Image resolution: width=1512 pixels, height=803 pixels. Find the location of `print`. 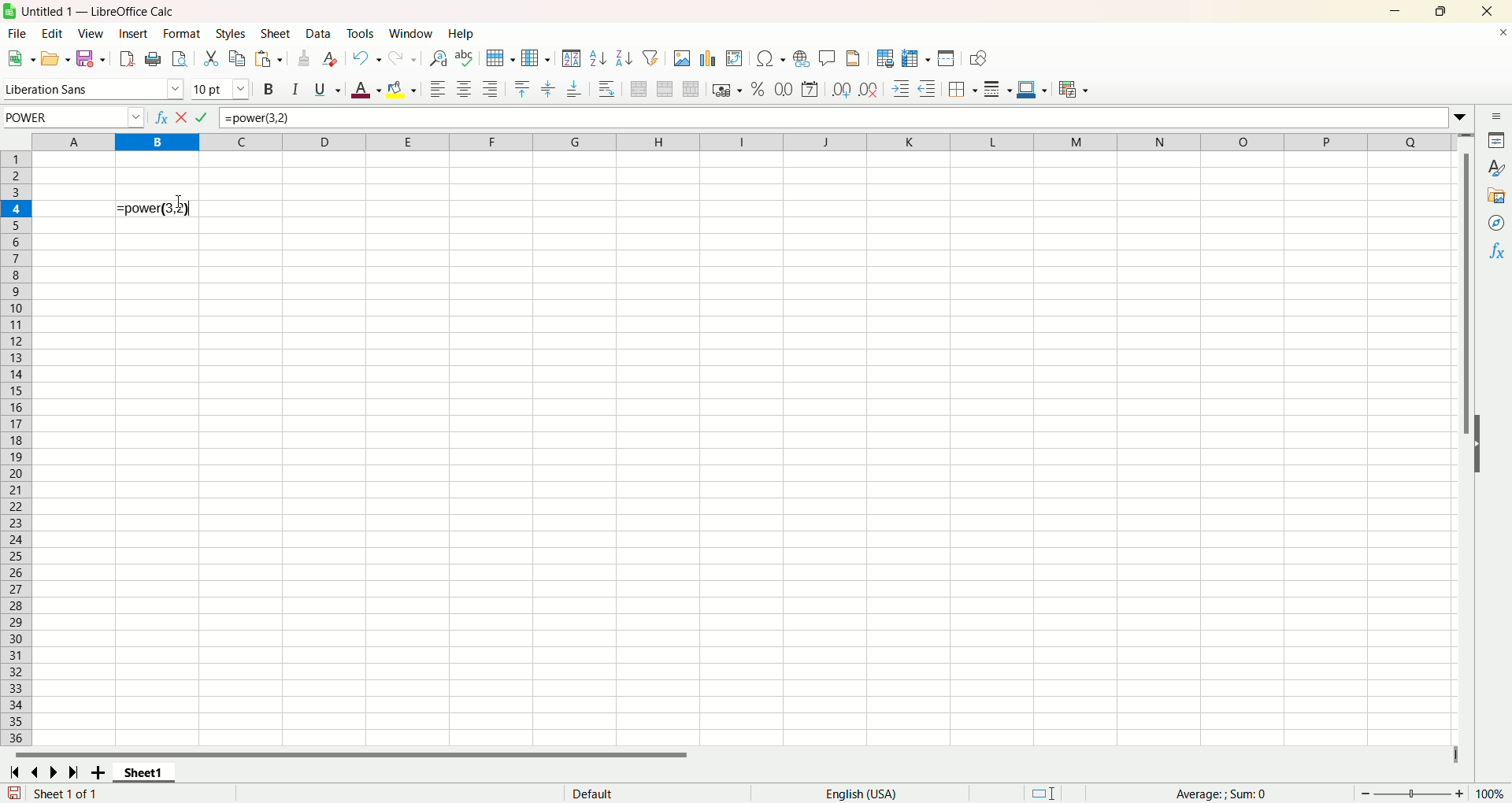

print is located at coordinates (154, 59).